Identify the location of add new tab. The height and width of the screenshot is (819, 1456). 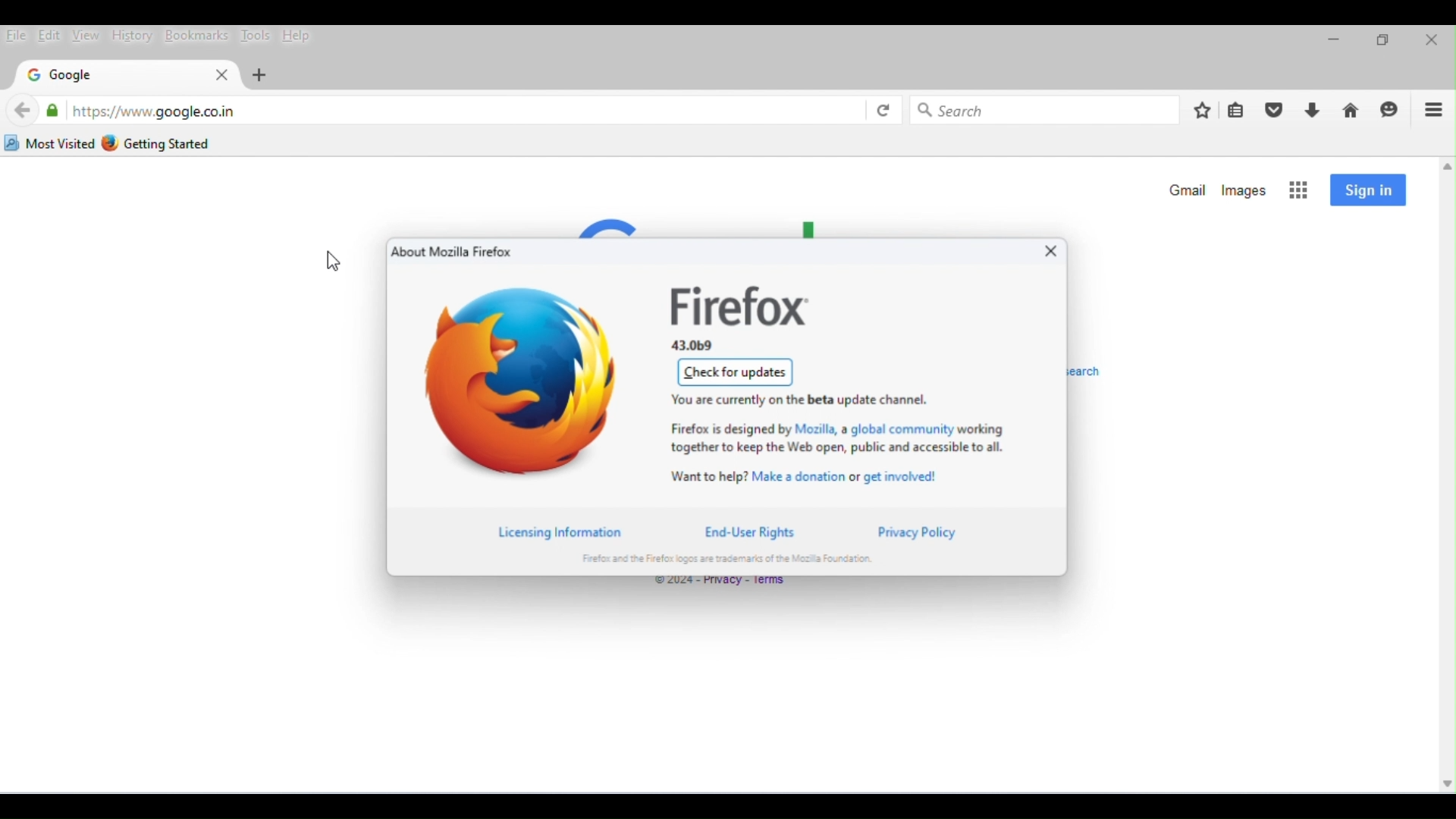
(261, 75).